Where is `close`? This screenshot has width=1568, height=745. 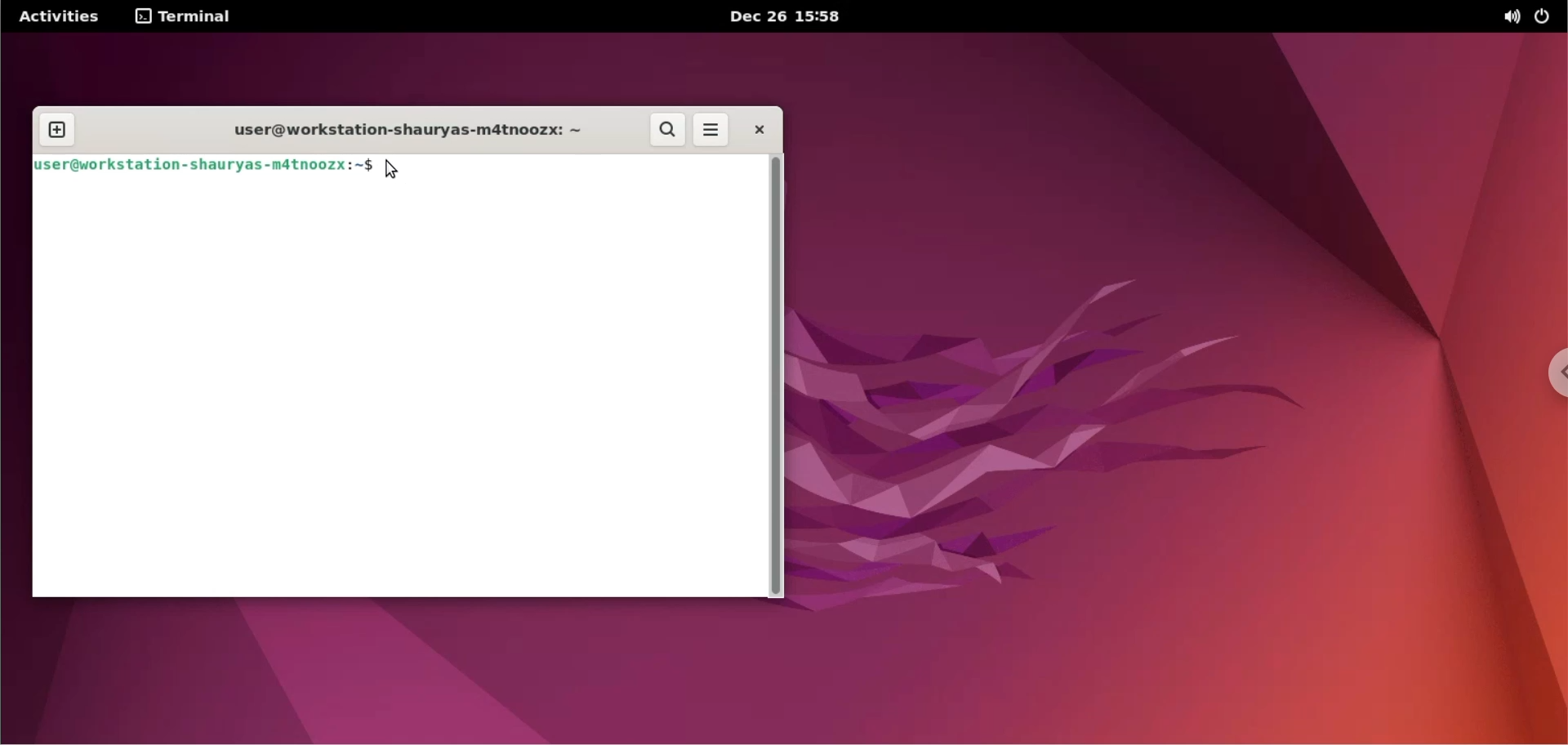
close is located at coordinates (757, 131).